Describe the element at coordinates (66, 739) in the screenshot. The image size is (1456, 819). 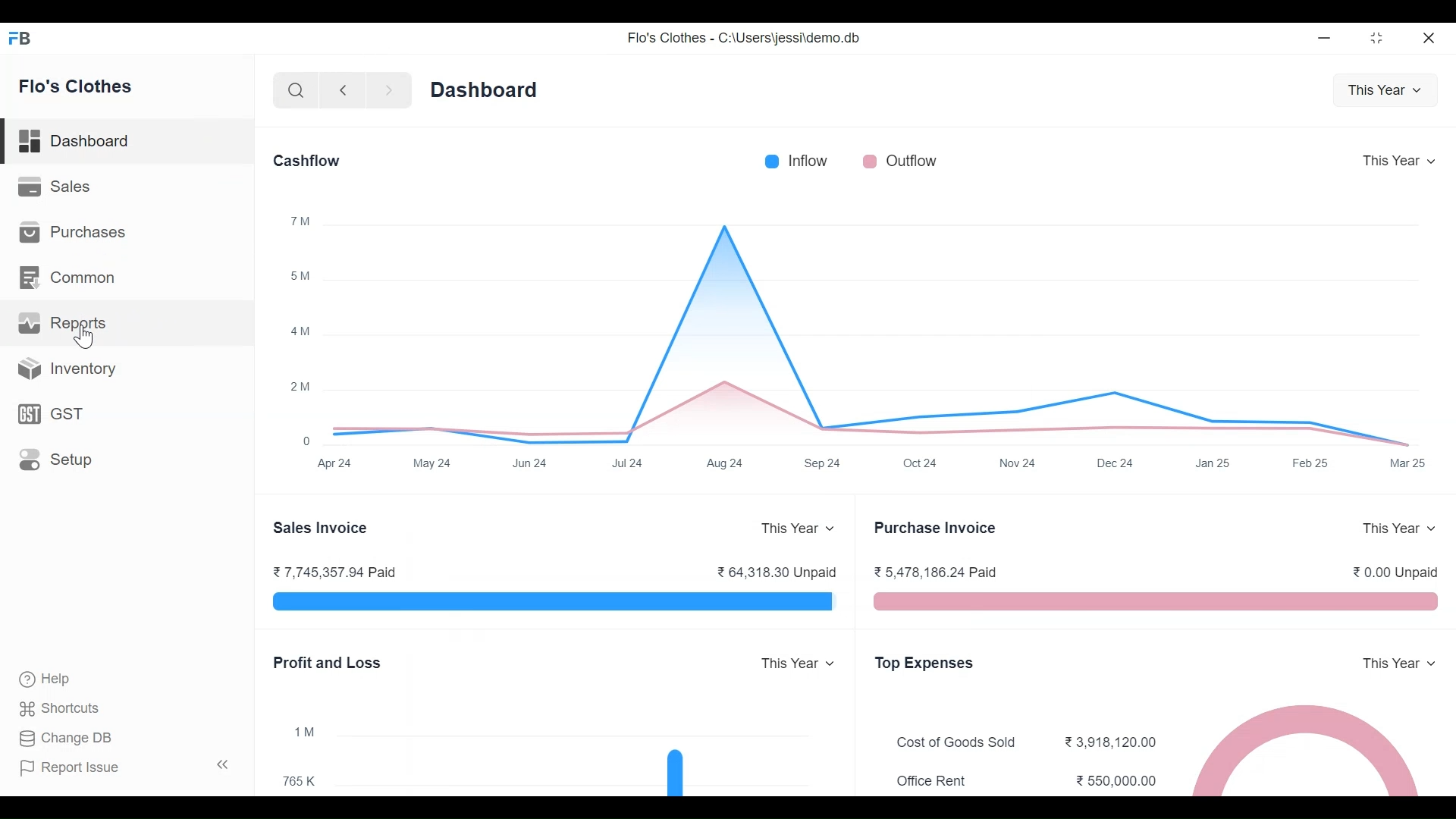
I see `Change DB` at that location.